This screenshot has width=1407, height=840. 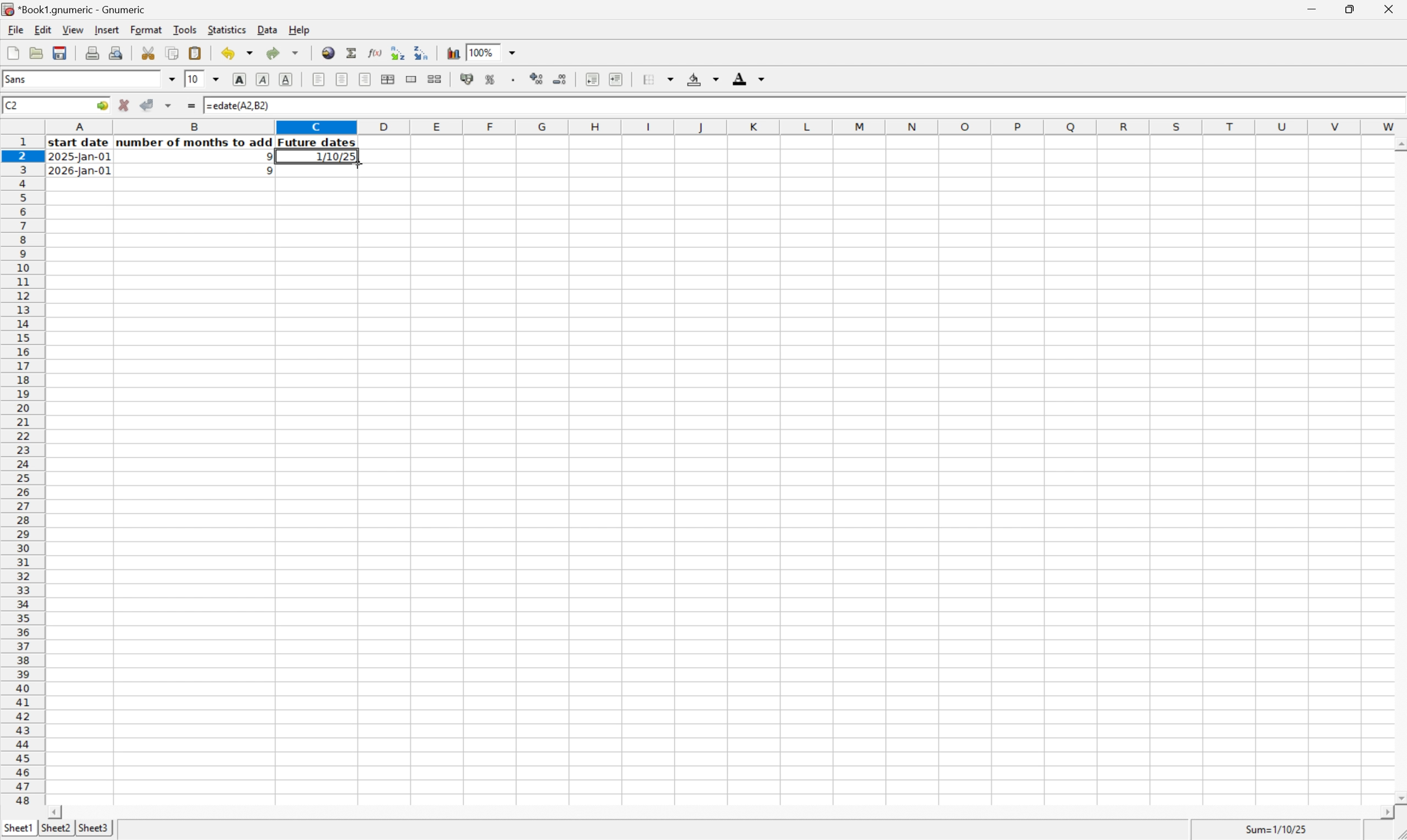 What do you see at coordinates (195, 143) in the screenshot?
I see `number of months to add` at bounding box center [195, 143].